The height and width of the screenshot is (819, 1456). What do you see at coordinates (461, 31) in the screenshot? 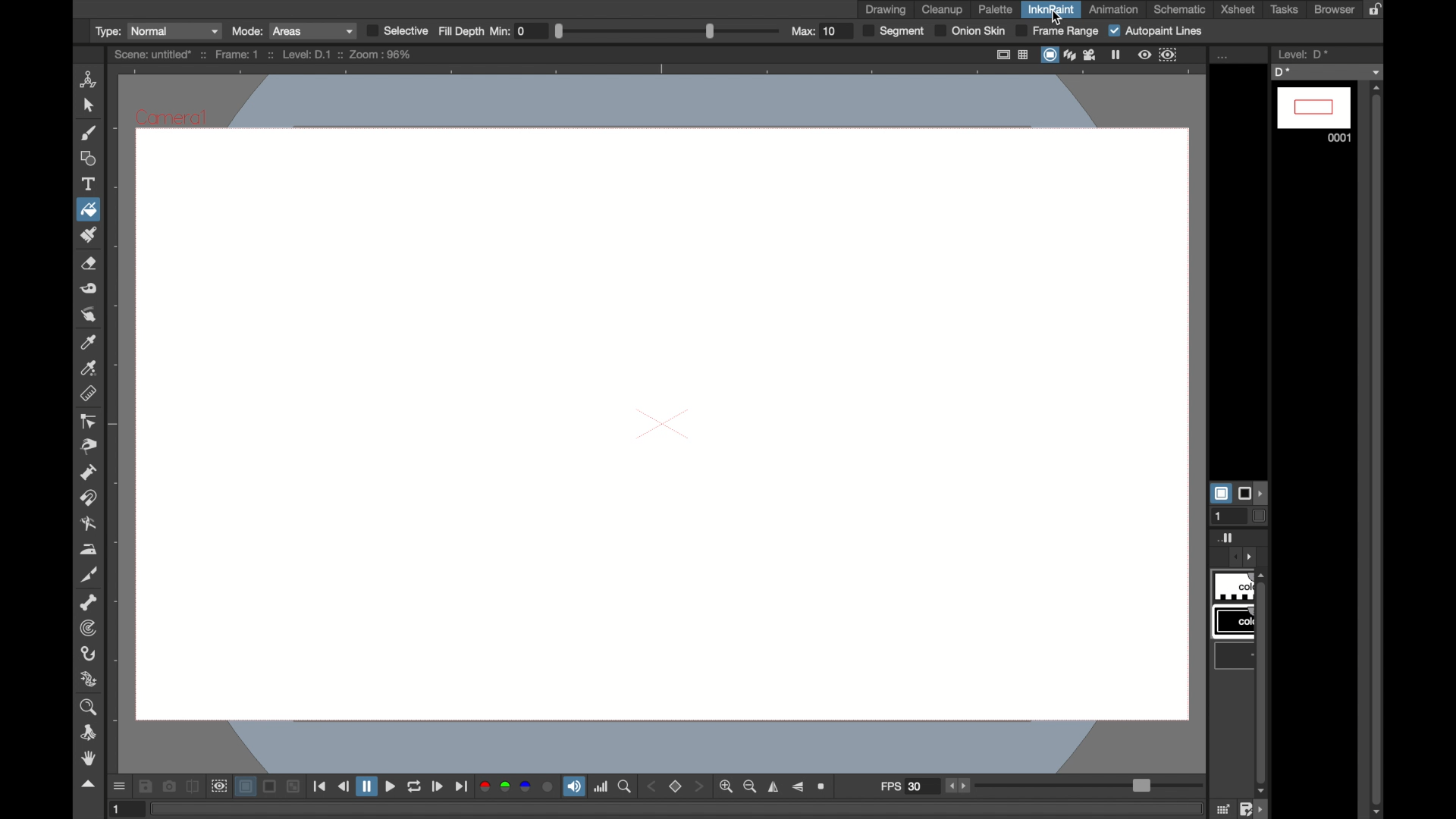
I see `fill depth` at bounding box center [461, 31].